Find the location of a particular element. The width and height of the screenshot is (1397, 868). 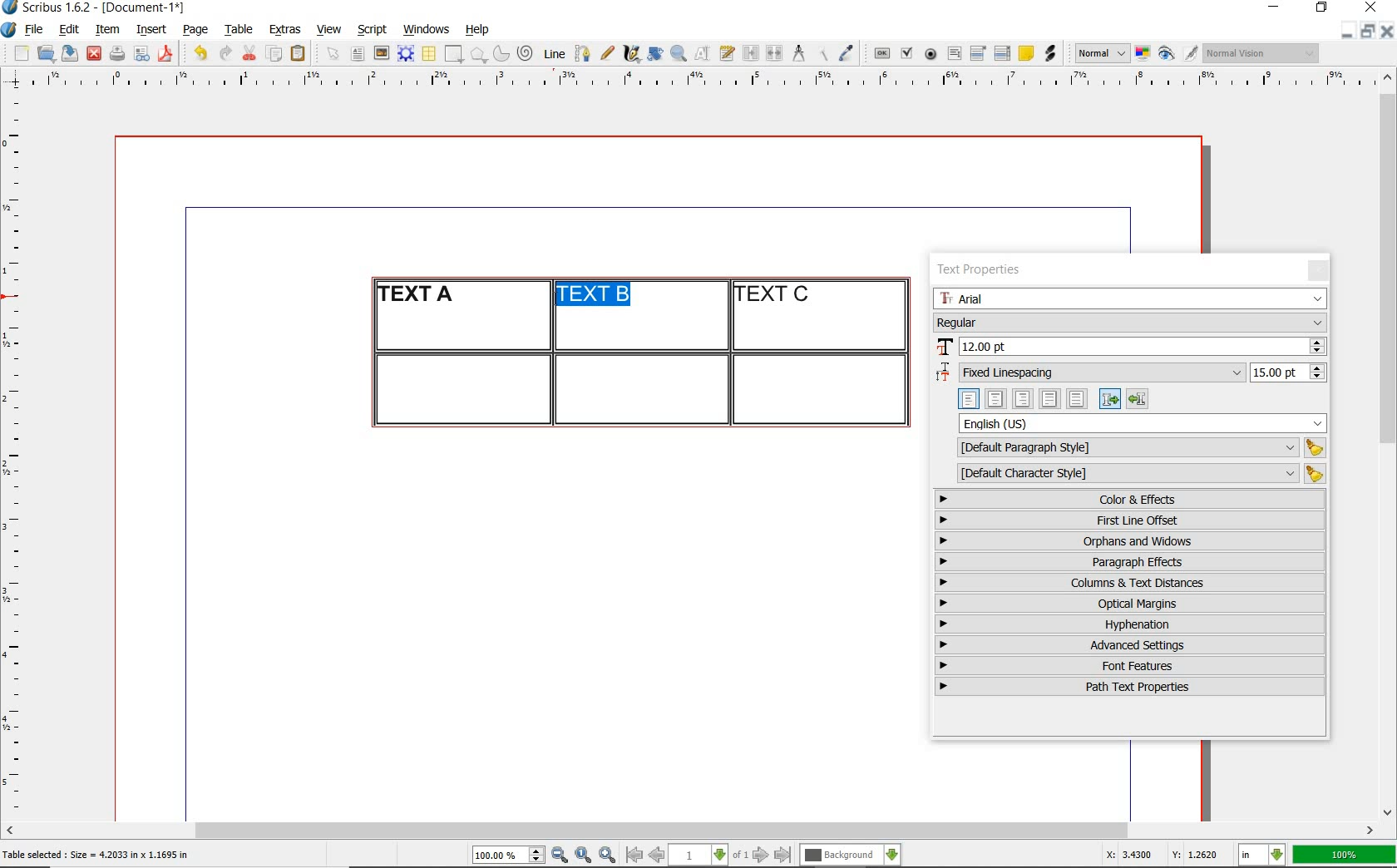

script is located at coordinates (372, 29).